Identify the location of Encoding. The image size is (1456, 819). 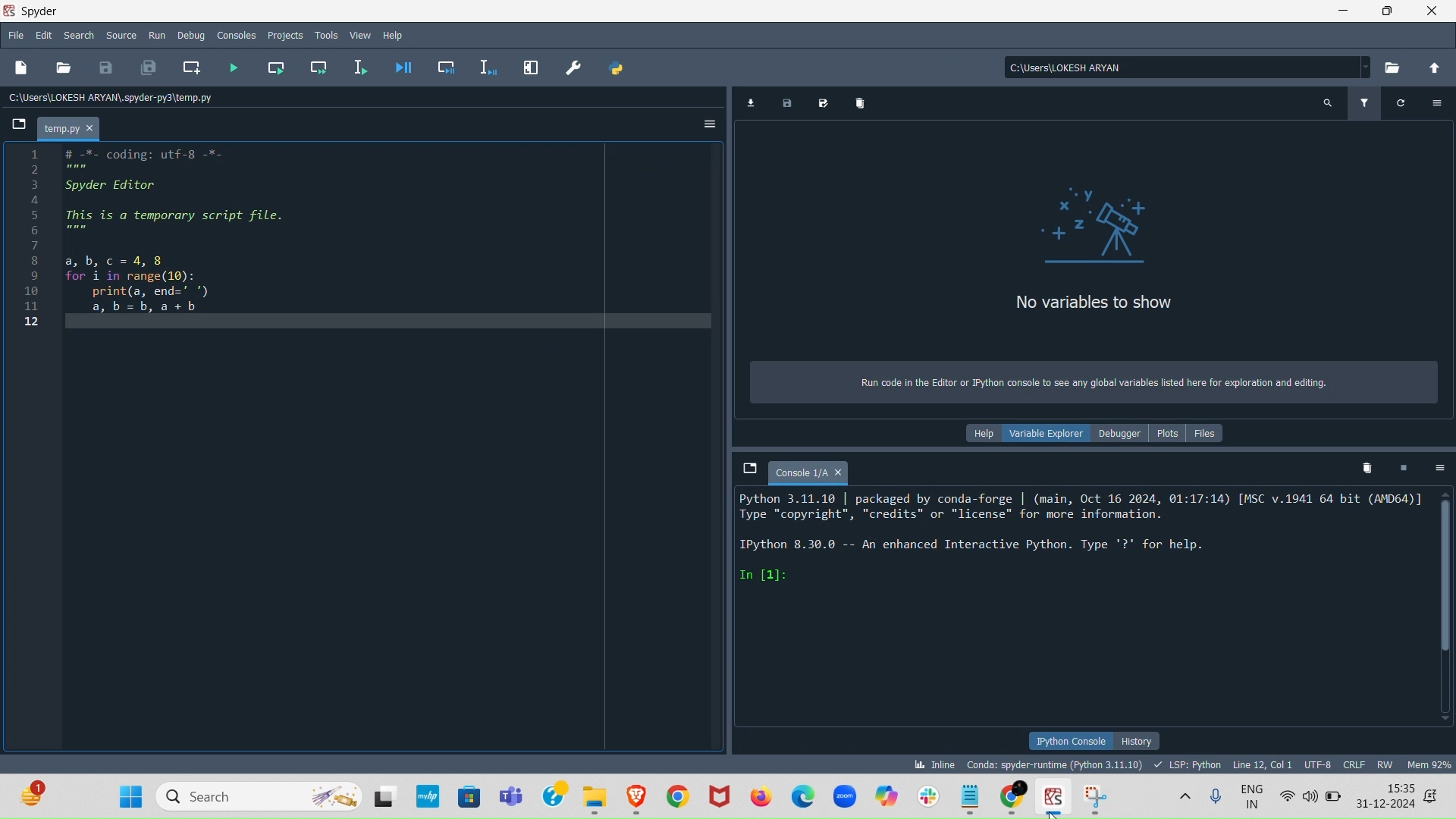
(1319, 764).